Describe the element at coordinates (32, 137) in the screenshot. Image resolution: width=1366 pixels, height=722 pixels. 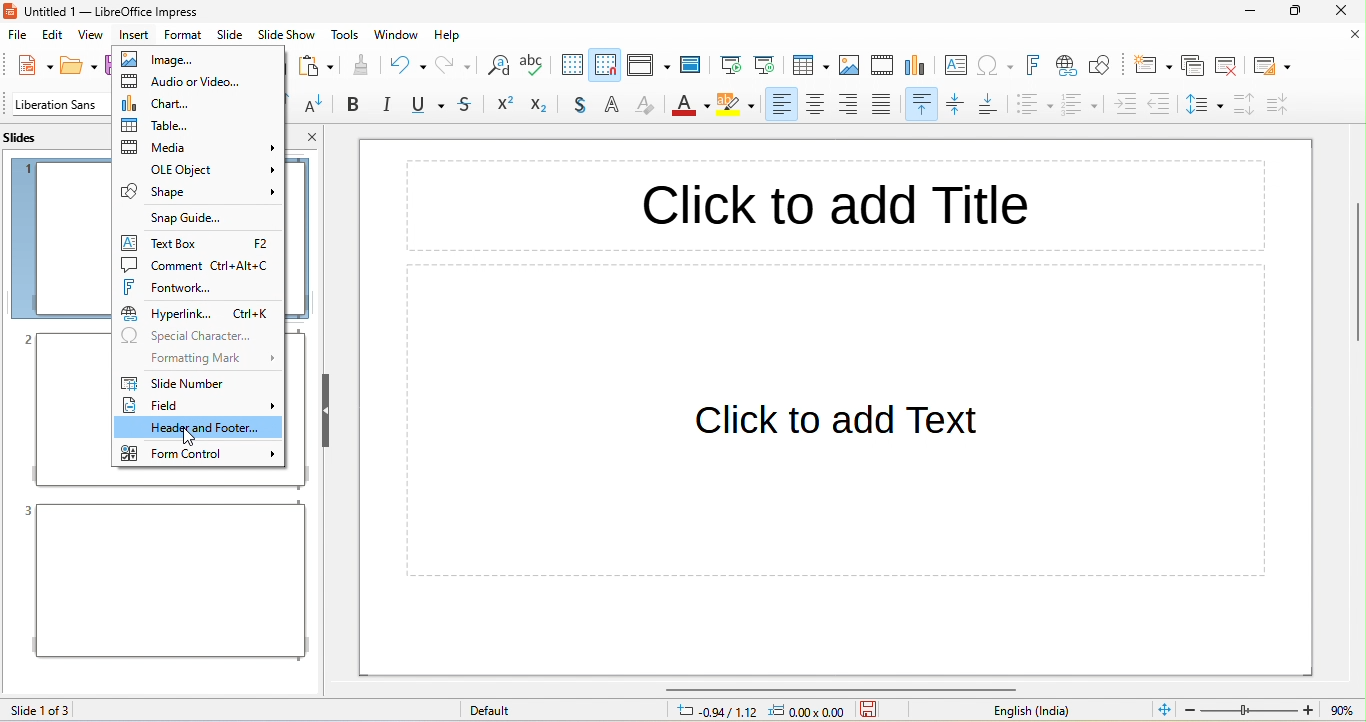
I see `slides` at that location.